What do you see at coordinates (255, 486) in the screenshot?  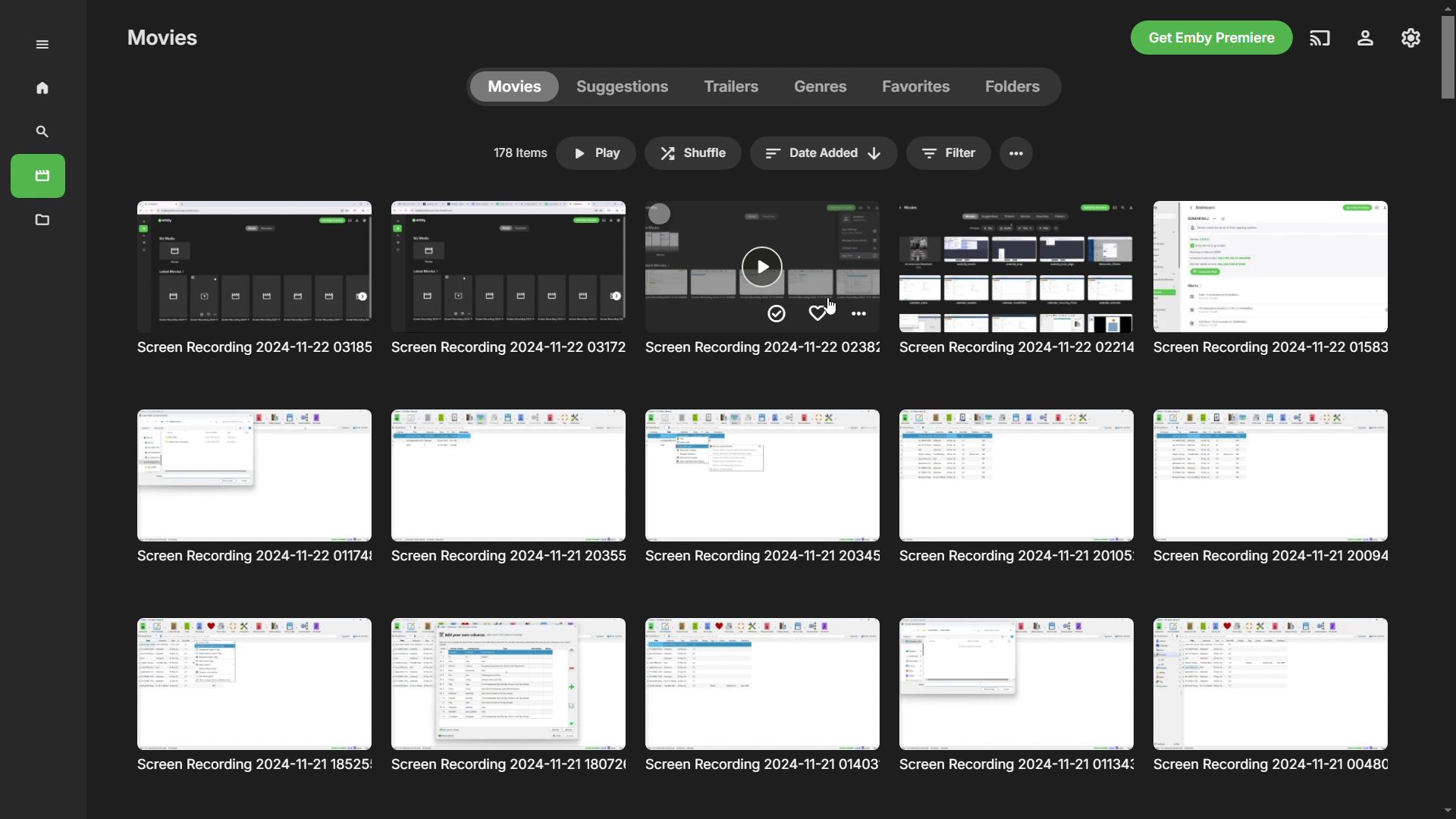 I see `` at bounding box center [255, 486].